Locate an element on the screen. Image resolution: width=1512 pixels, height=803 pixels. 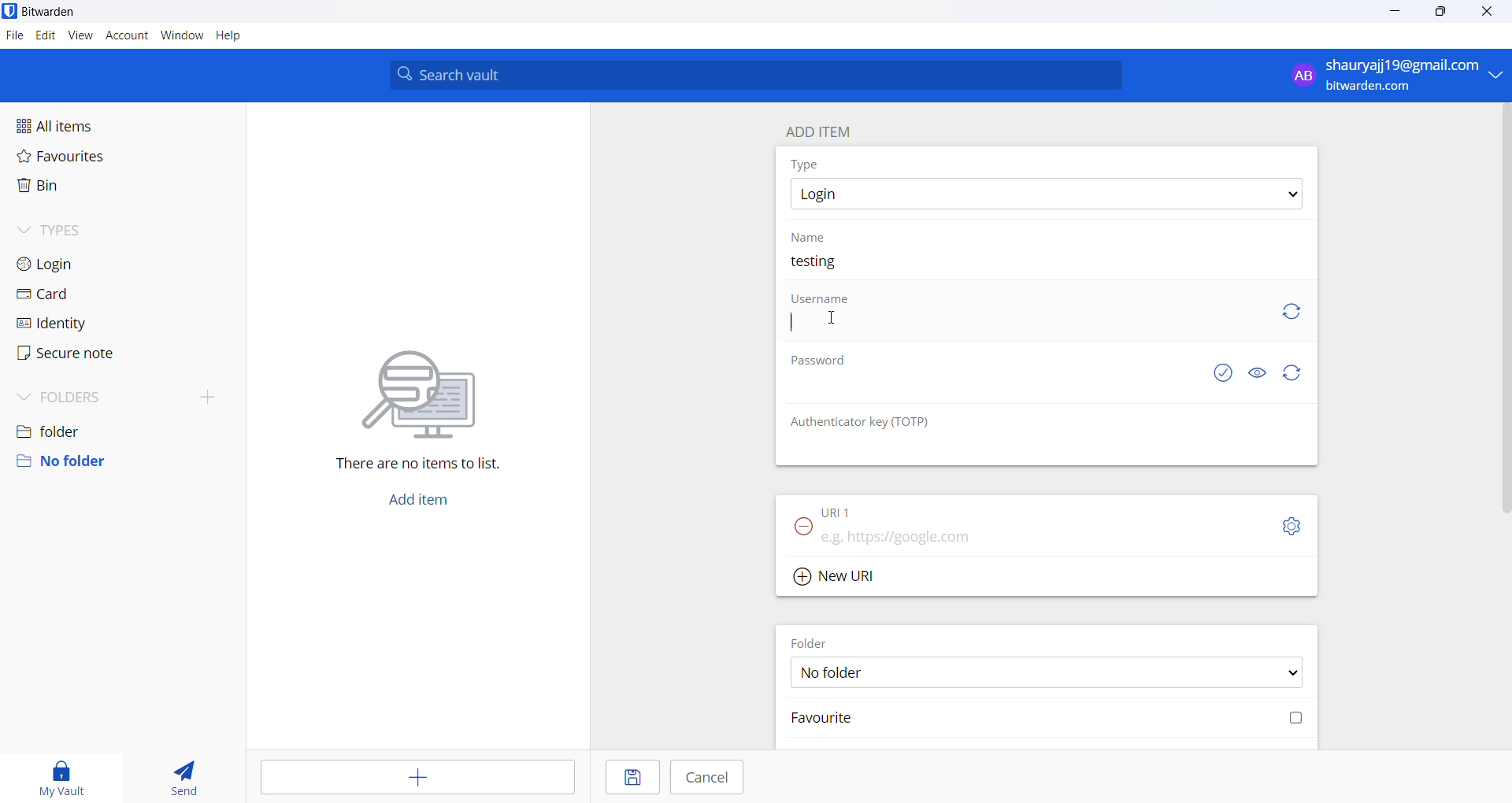
types is located at coordinates (87, 231).